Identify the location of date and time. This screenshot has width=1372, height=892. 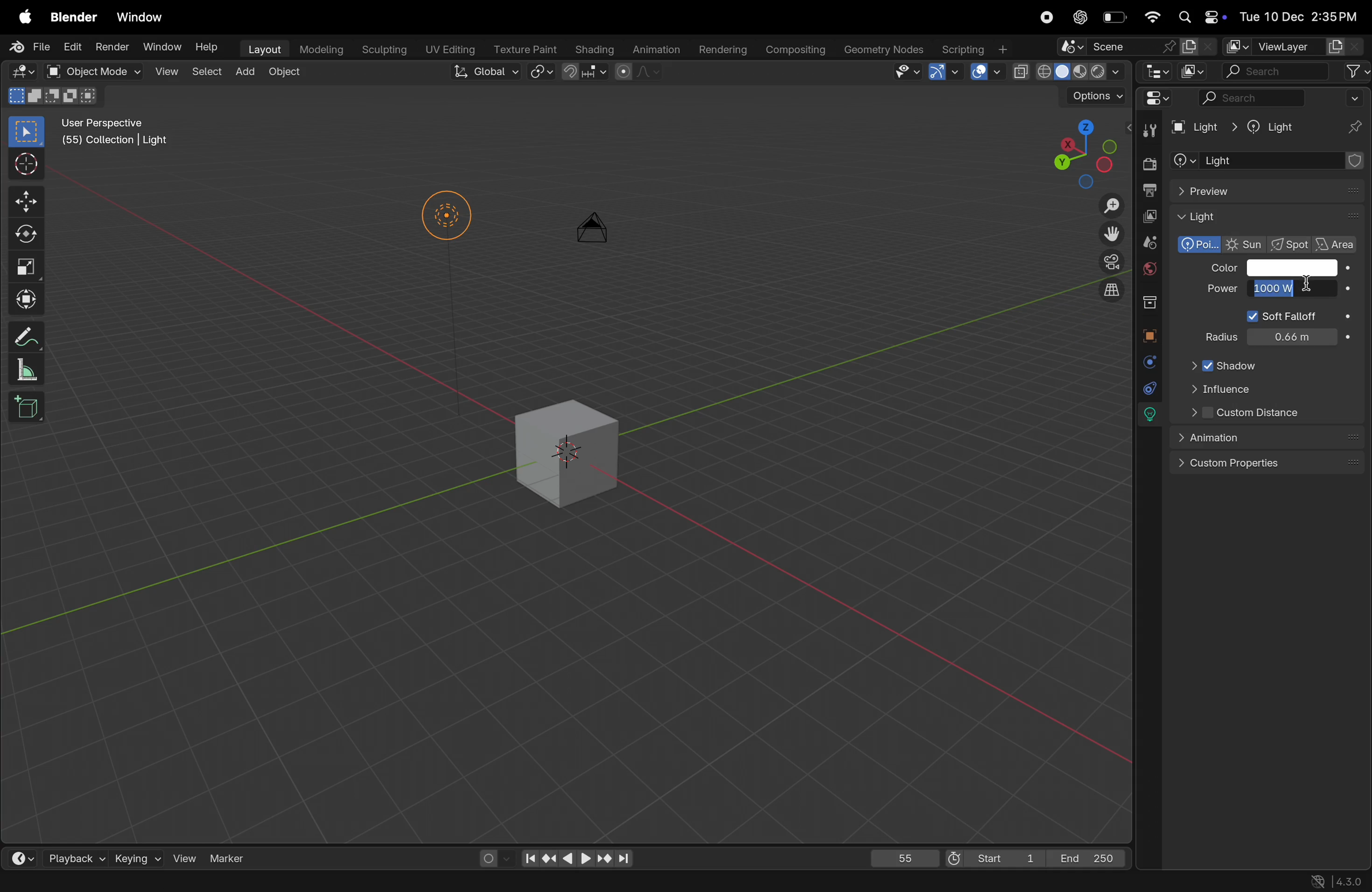
(1304, 19).